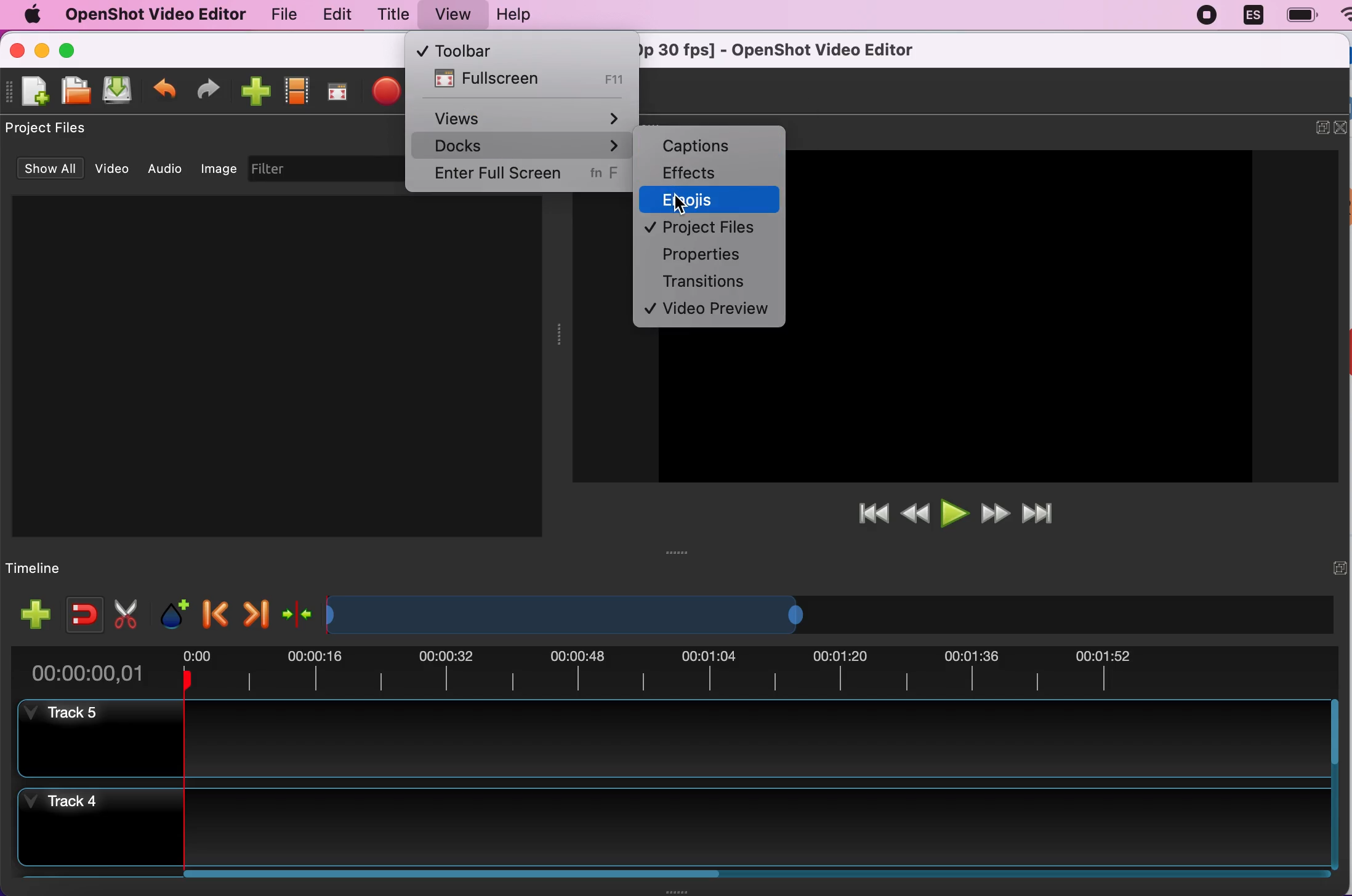 The image size is (1352, 896). Describe the element at coordinates (71, 49) in the screenshot. I see `maximize` at that location.